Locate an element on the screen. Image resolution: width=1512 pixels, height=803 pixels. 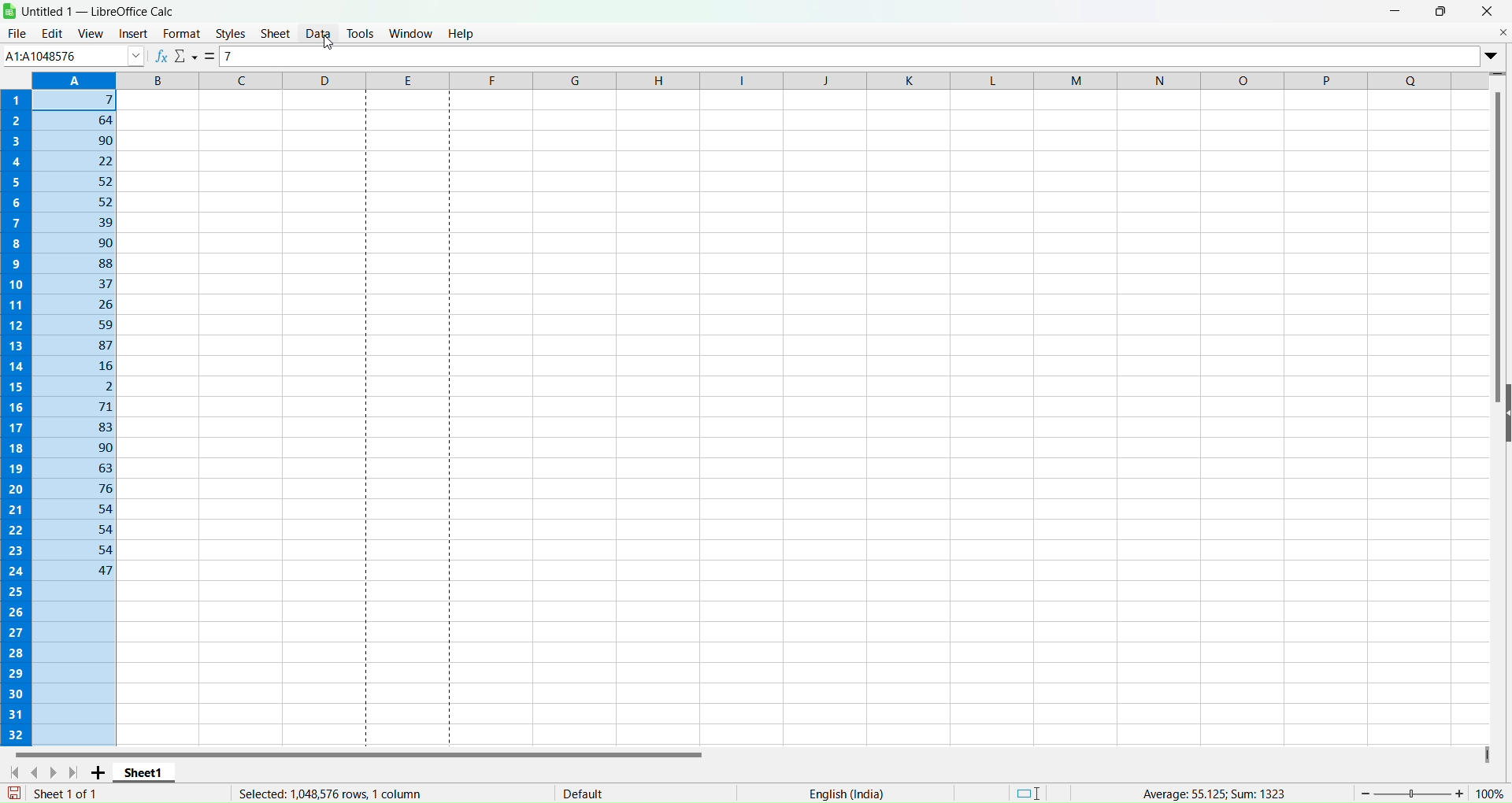
Default is located at coordinates (583, 790).